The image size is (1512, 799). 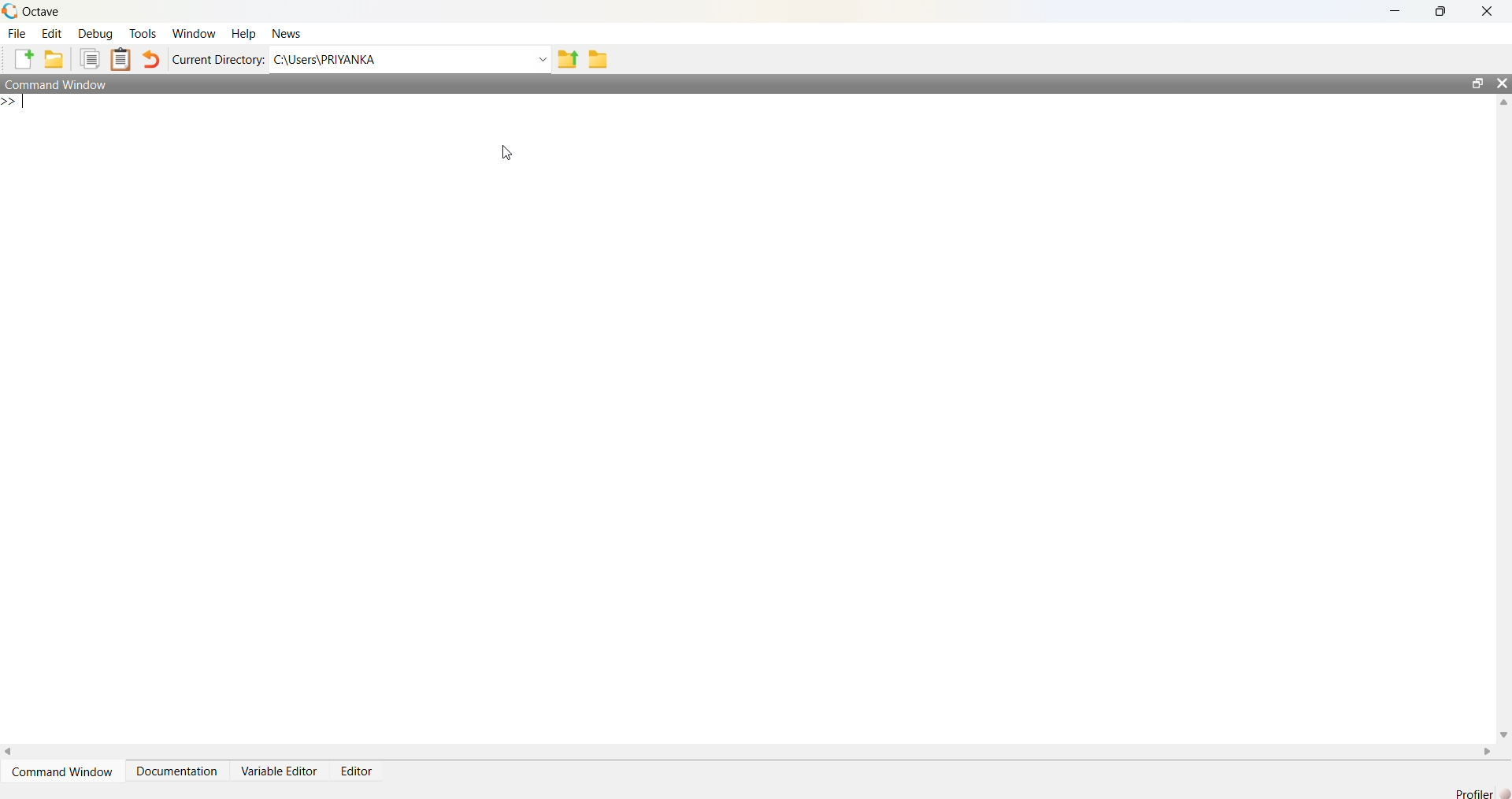 I want to click on Up, so click(x=1503, y=105).